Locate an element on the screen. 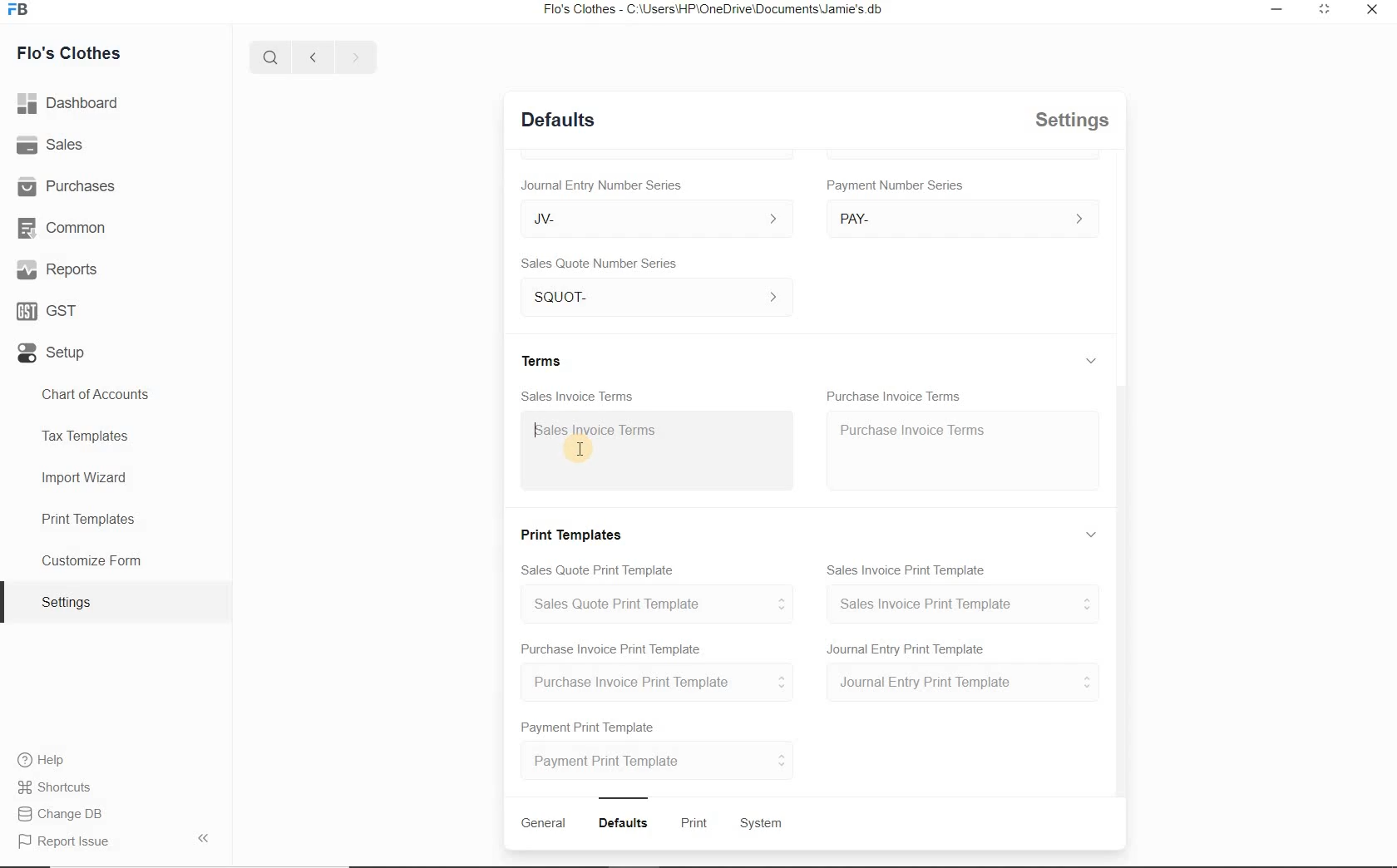 The height and width of the screenshot is (868, 1397). Setup is located at coordinates (50, 357).